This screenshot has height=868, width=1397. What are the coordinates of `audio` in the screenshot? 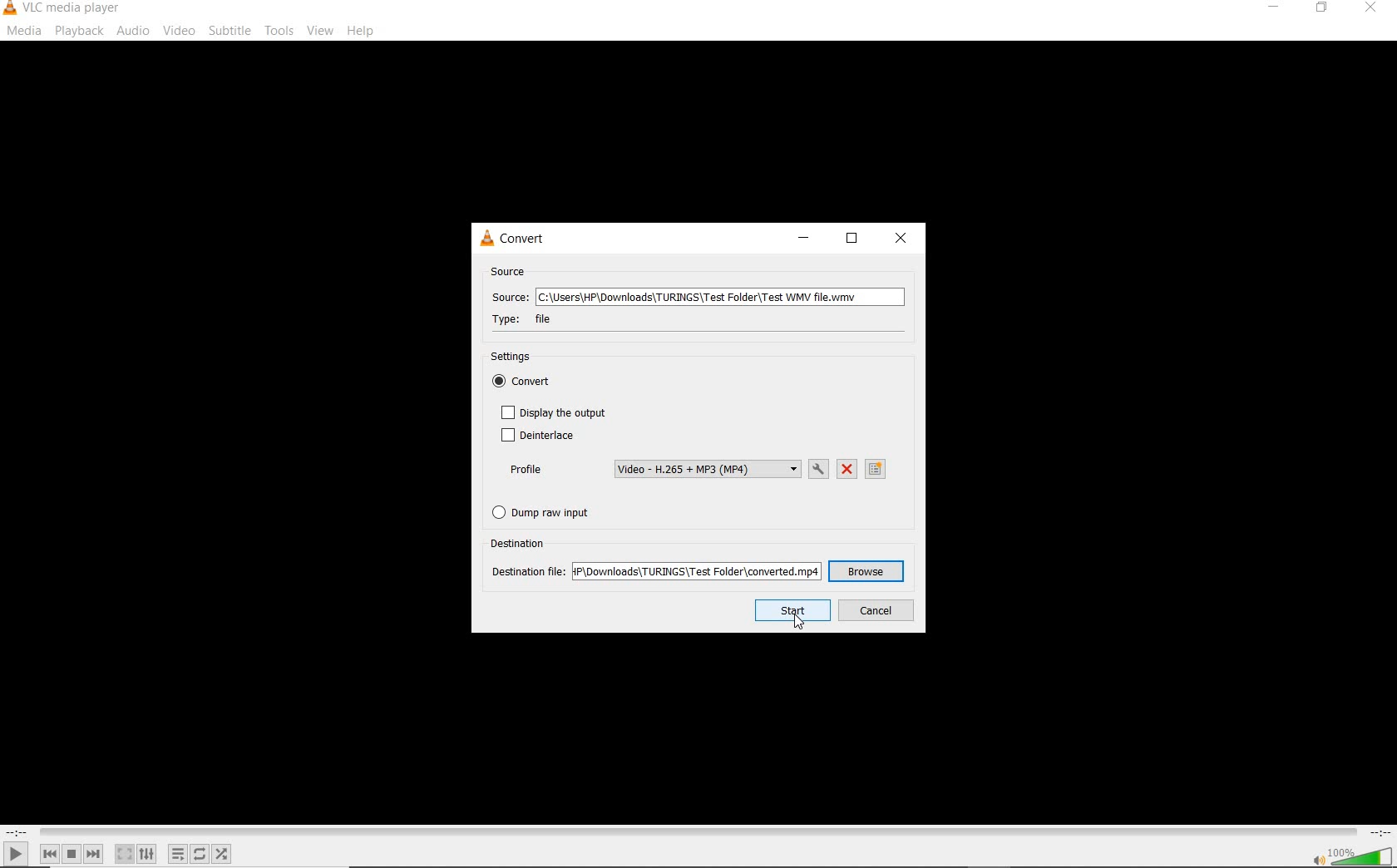 It's located at (135, 31).